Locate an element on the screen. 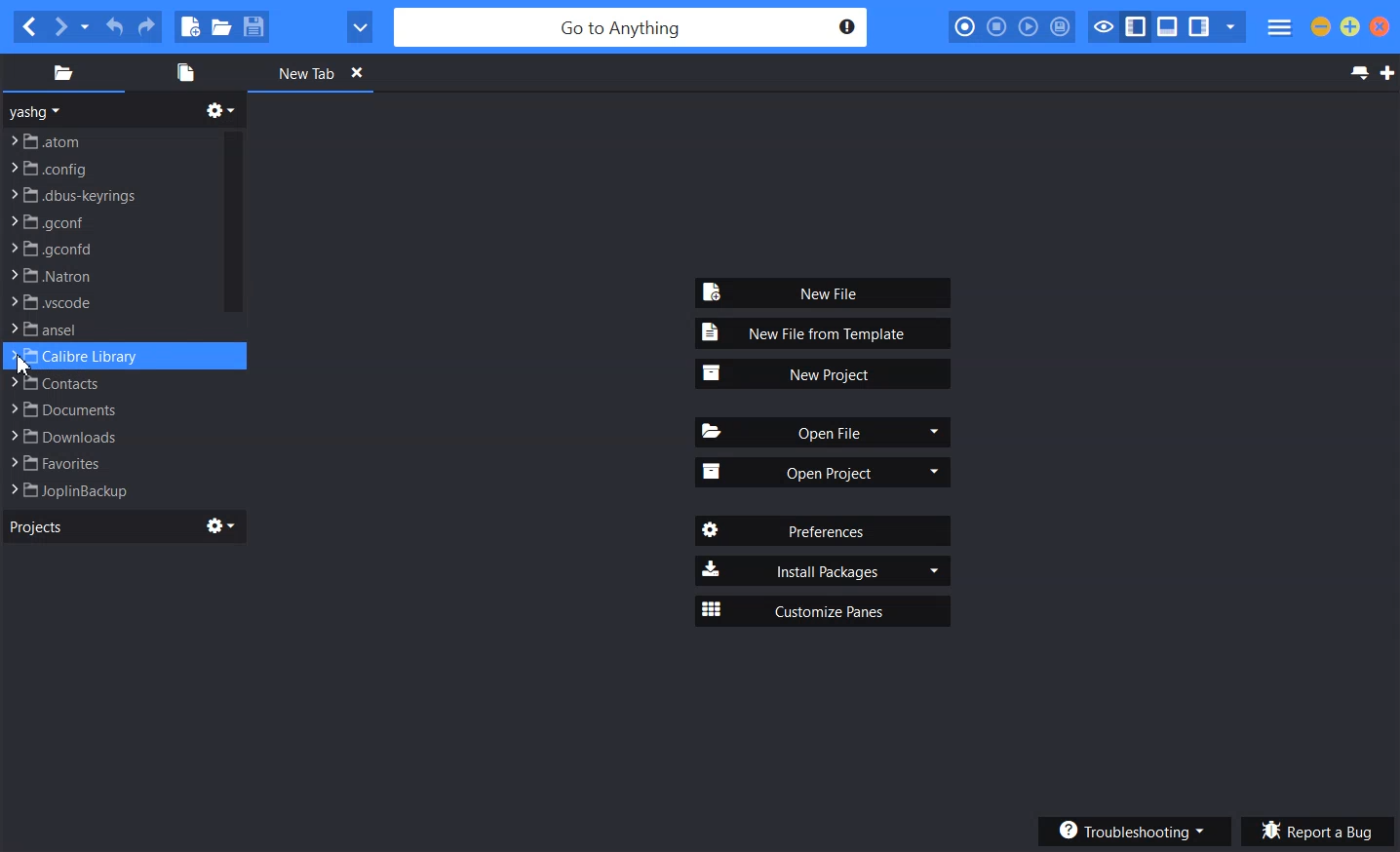  New file using default Language is located at coordinates (190, 27).